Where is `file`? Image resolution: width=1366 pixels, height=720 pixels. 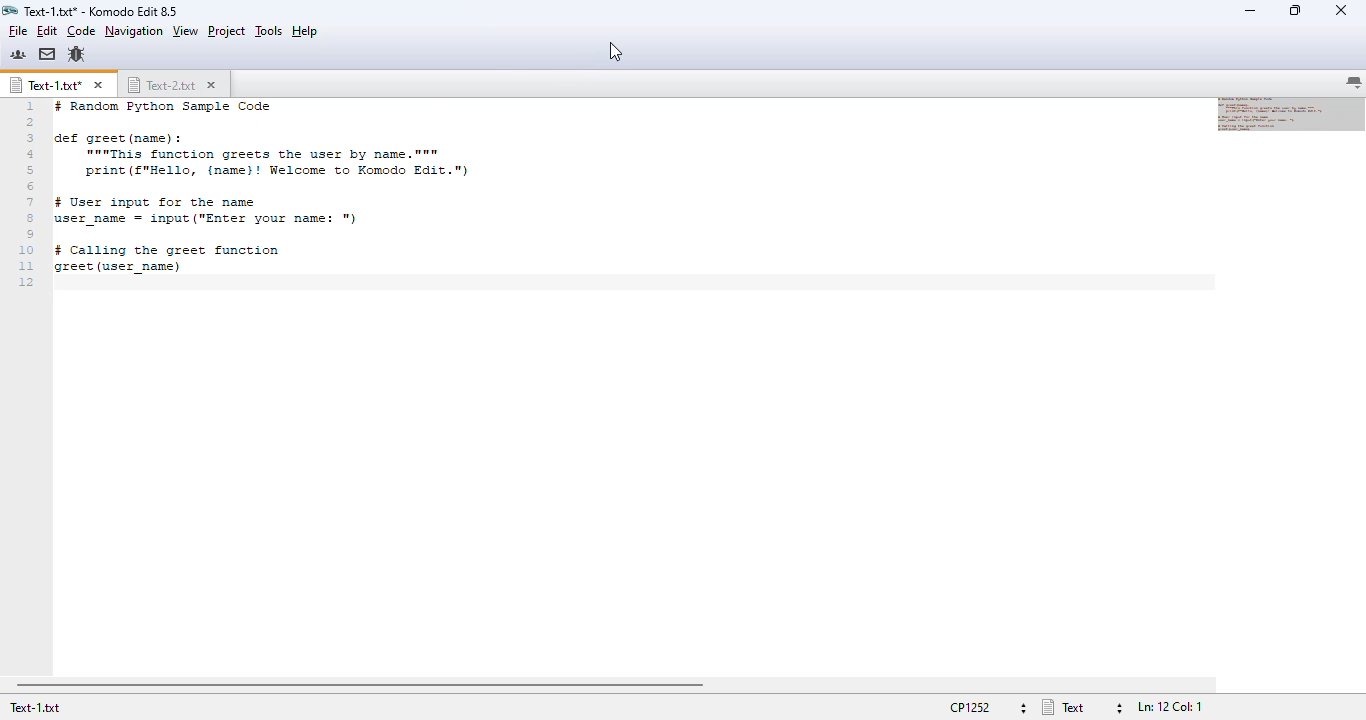
file is located at coordinates (17, 31).